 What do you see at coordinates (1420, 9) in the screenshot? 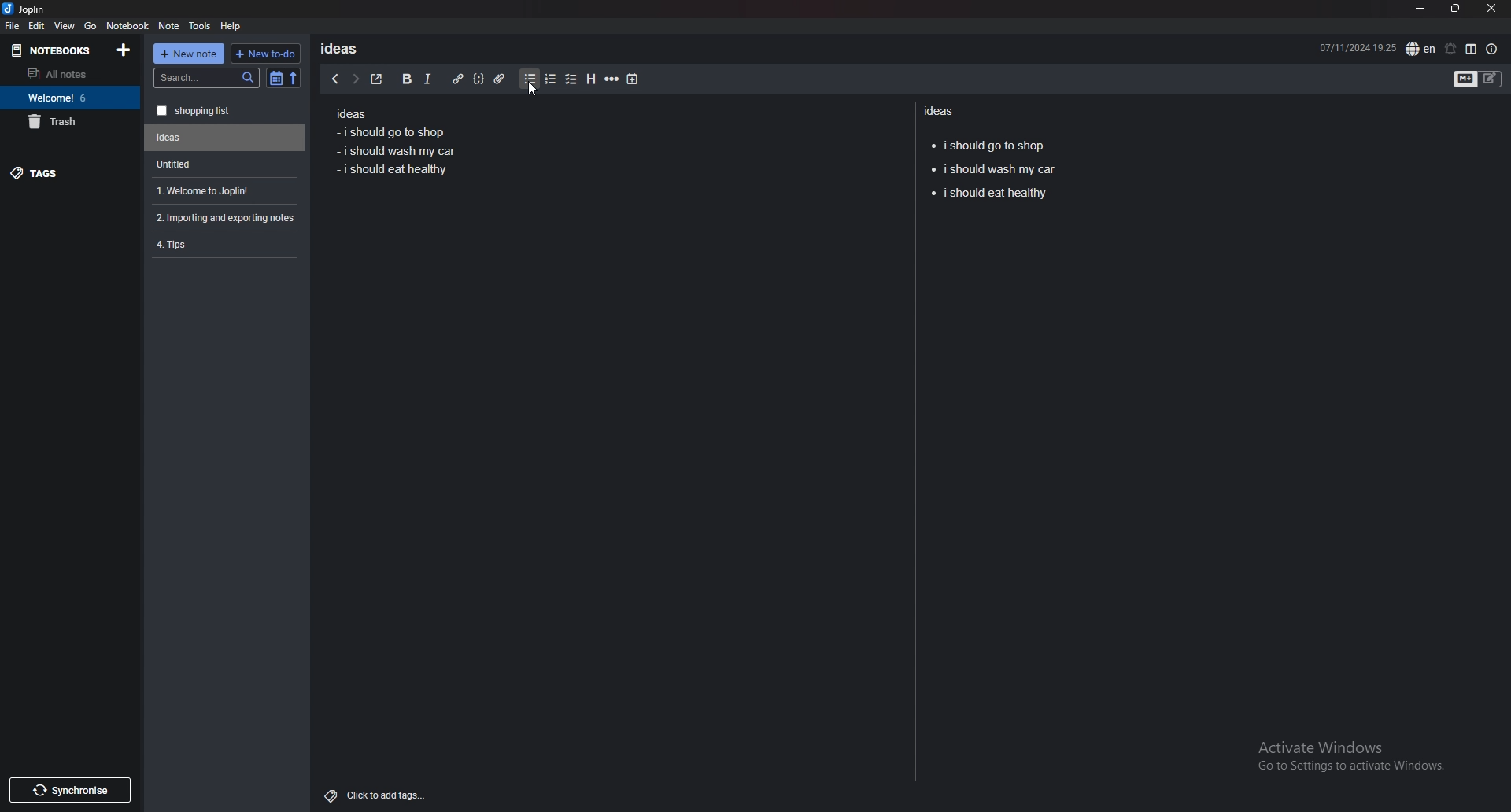
I see `minimize` at bounding box center [1420, 9].